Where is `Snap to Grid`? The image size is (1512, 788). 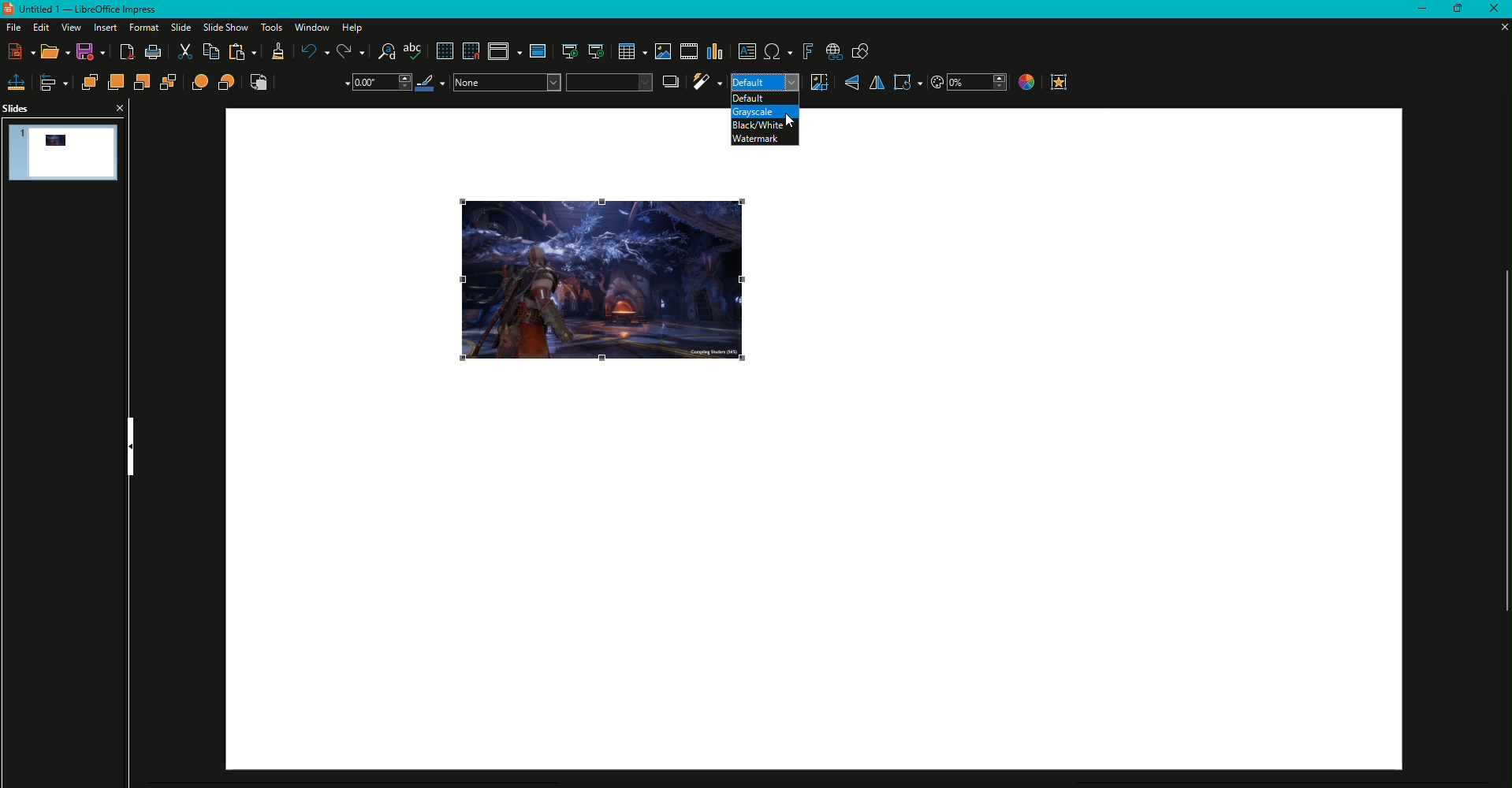
Snap to Grid is located at coordinates (471, 51).